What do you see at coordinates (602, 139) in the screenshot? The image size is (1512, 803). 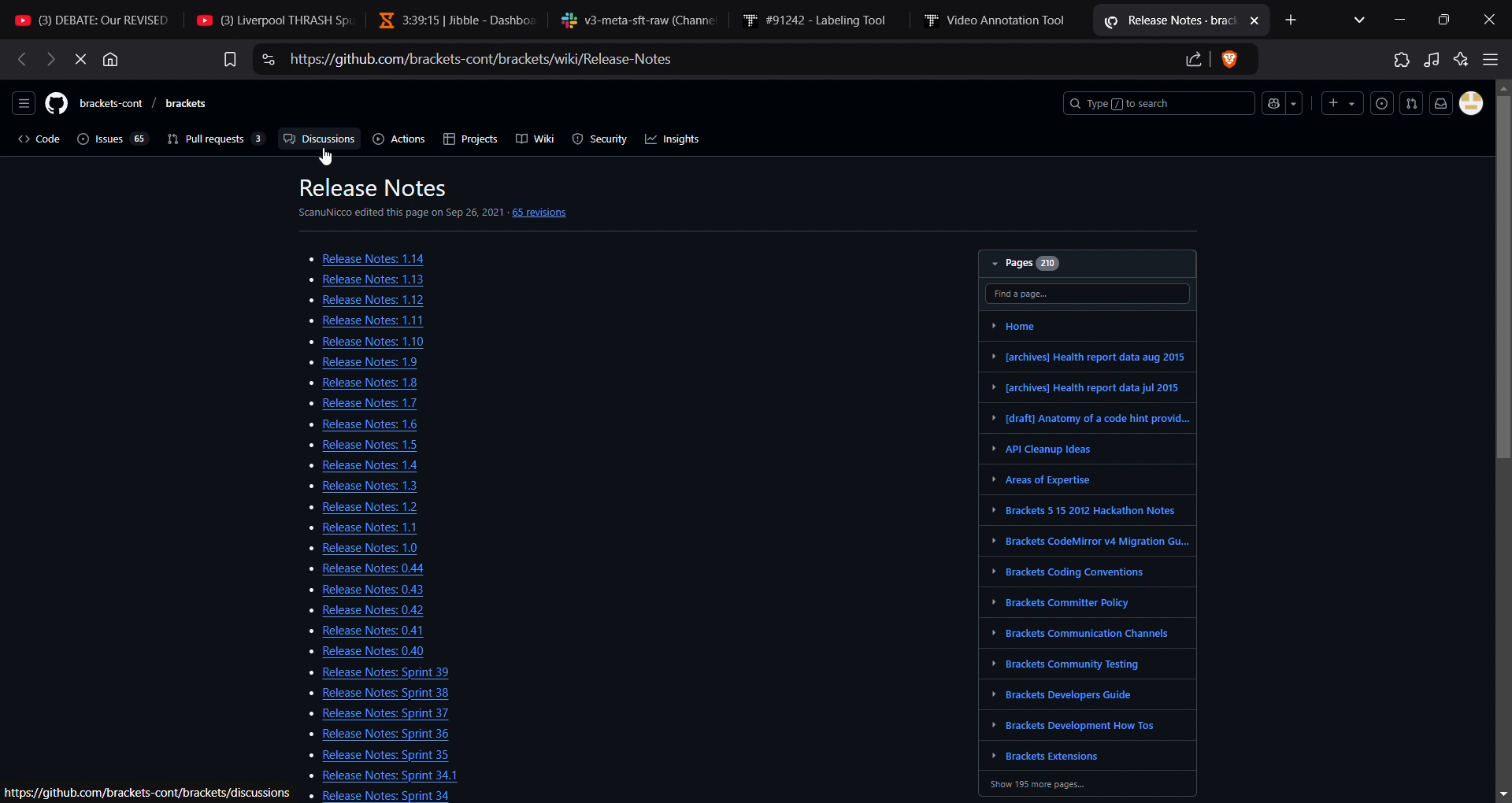 I see `security` at bounding box center [602, 139].